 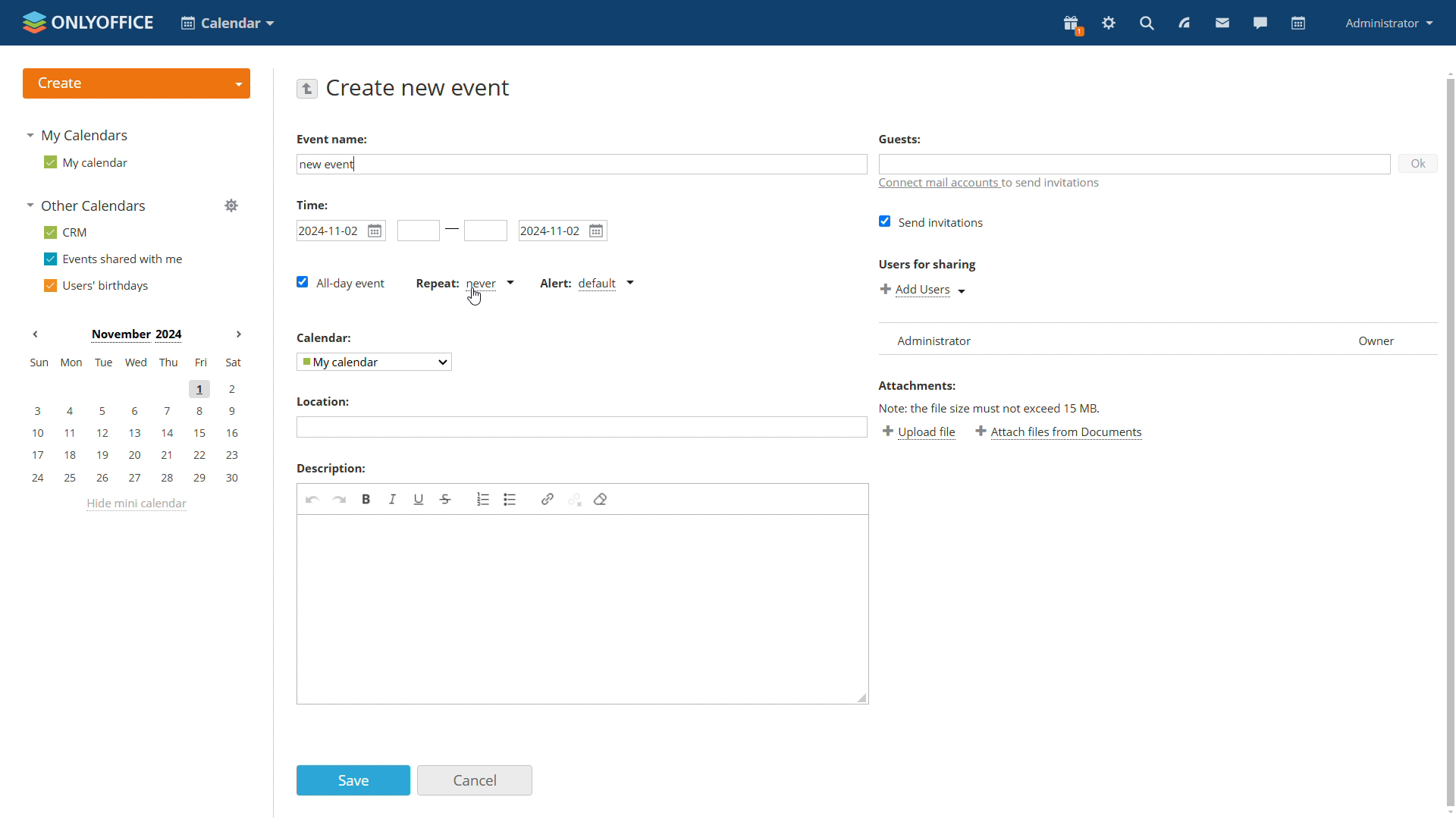 What do you see at coordinates (990, 408) in the screenshot?
I see `Note: the file size must not exceed 15 mb` at bounding box center [990, 408].